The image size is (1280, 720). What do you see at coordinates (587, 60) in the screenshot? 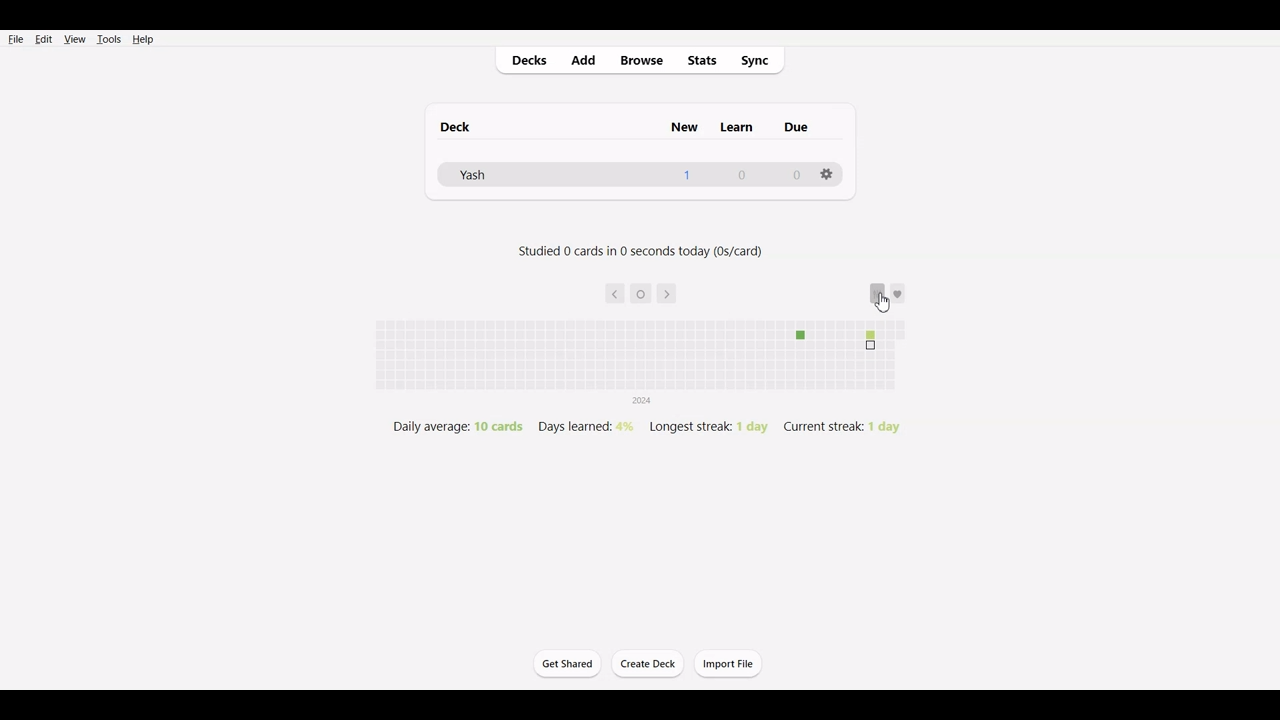
I see `Add` at bounding box center [587, 60].